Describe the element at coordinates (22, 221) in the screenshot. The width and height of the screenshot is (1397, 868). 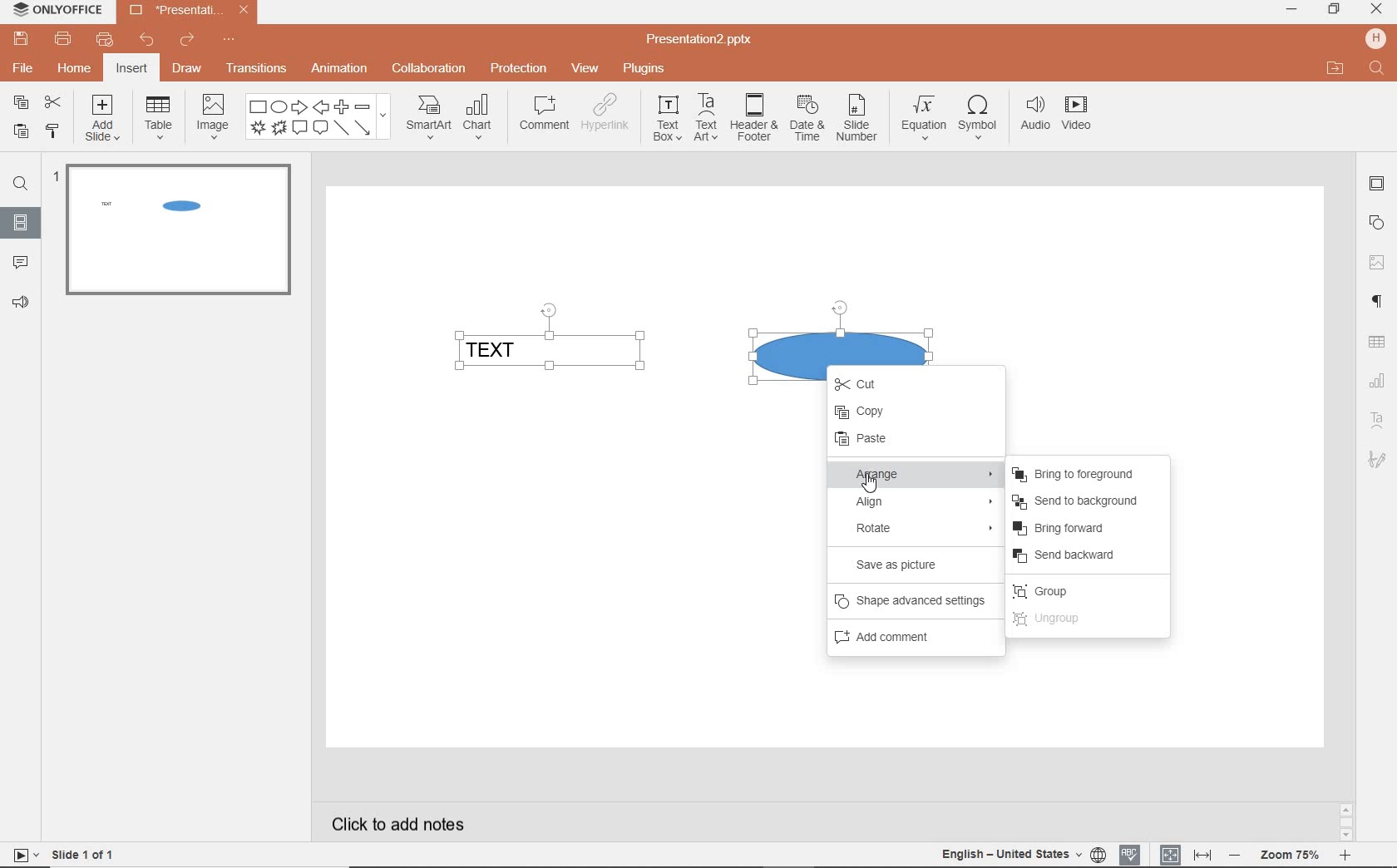
I see `SLIDES` at that location.